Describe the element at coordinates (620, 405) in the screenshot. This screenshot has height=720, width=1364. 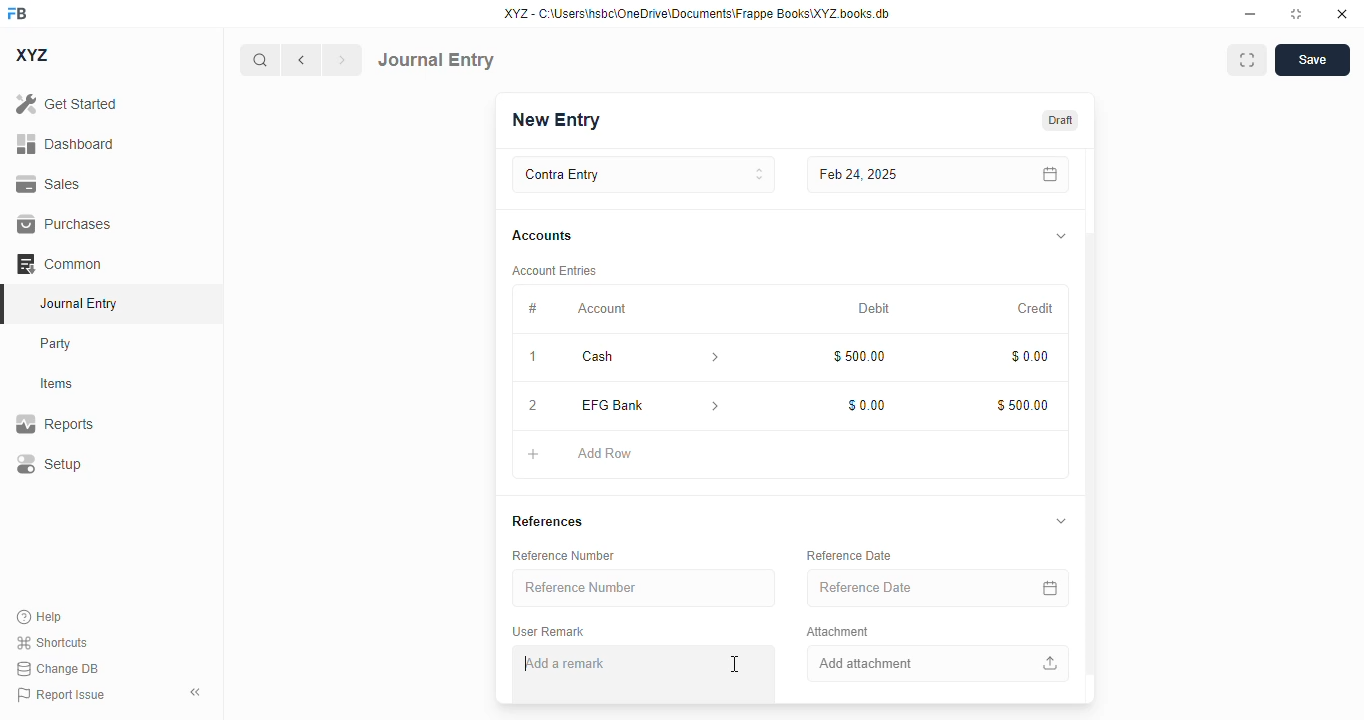
I see `EFG Bank` at that location.